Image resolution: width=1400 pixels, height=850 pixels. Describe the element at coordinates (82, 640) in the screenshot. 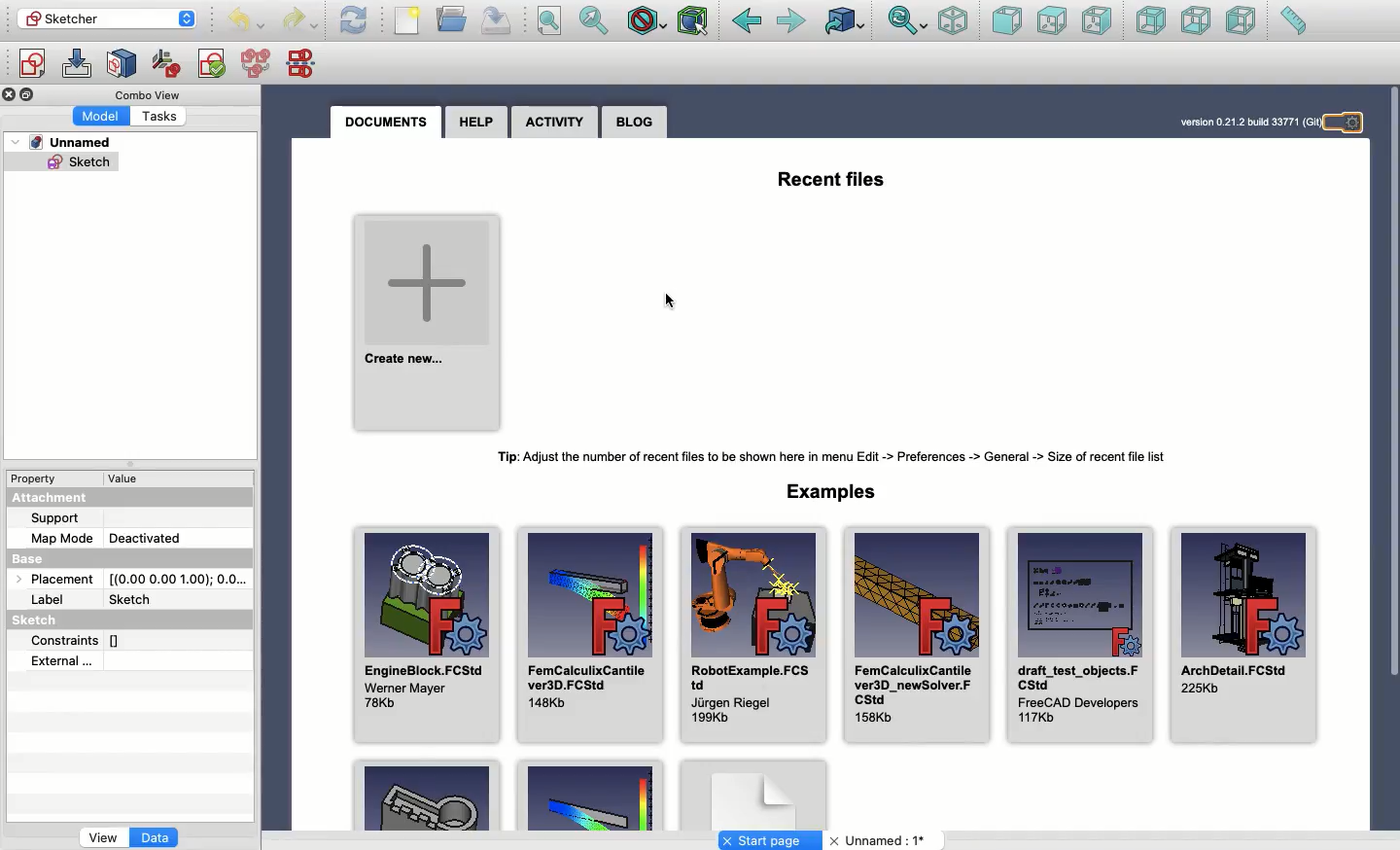

I see `Constraints []` at that location.